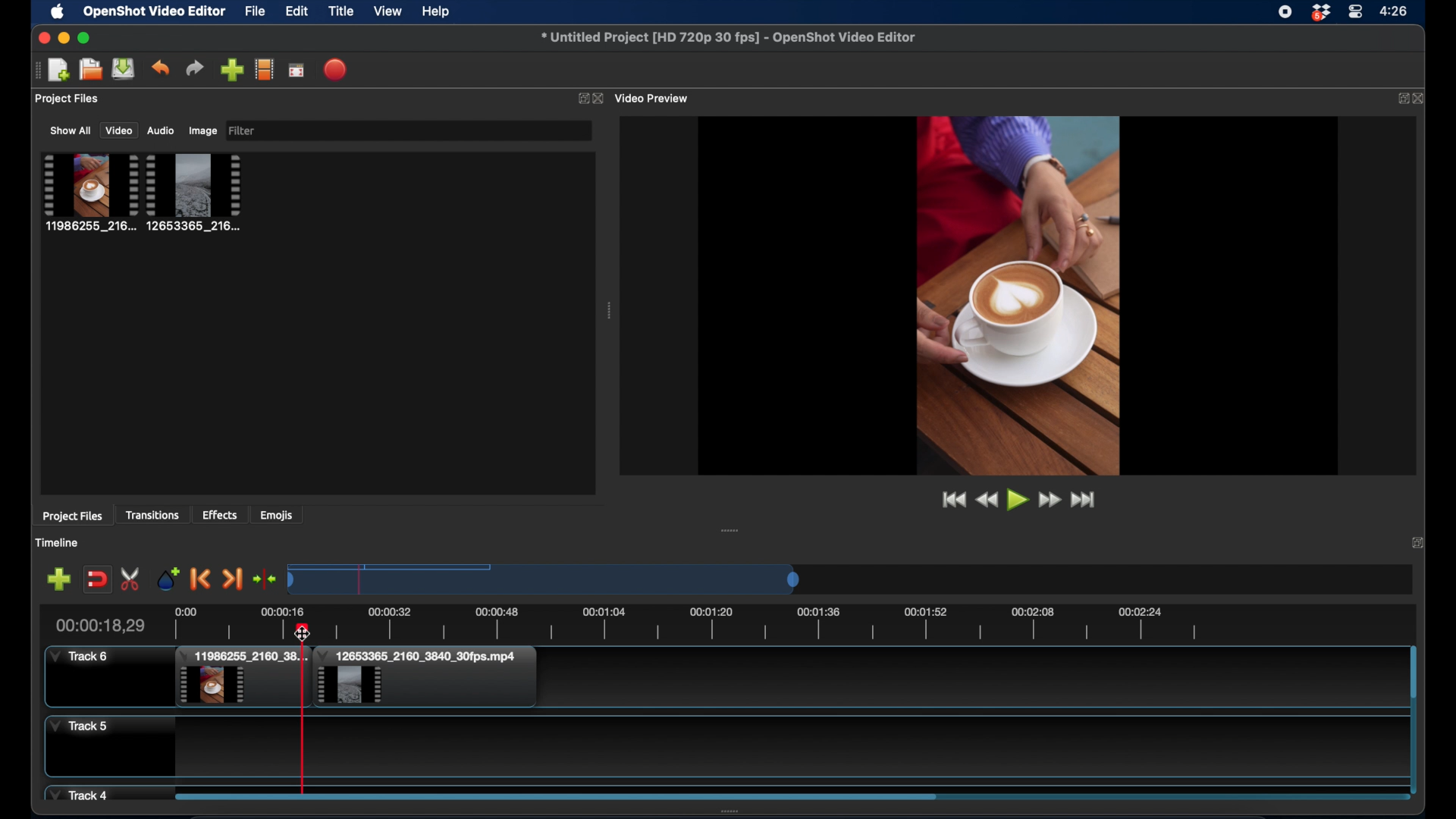 This screenshot has height=819, width=1456. Describe the element at coordinates (72, 516) in the screenshot. I see `project files` at that location.